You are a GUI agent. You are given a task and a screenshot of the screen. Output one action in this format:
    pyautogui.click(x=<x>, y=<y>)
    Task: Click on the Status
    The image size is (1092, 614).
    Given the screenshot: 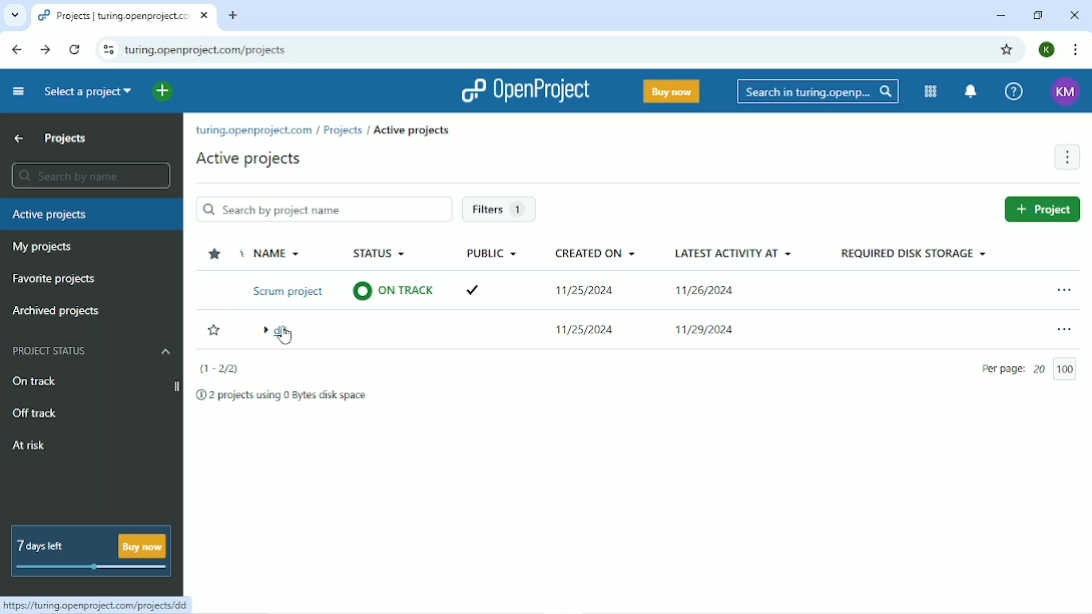 What is the action you would take?
    pyautogui.click(x=392, y=254)
    